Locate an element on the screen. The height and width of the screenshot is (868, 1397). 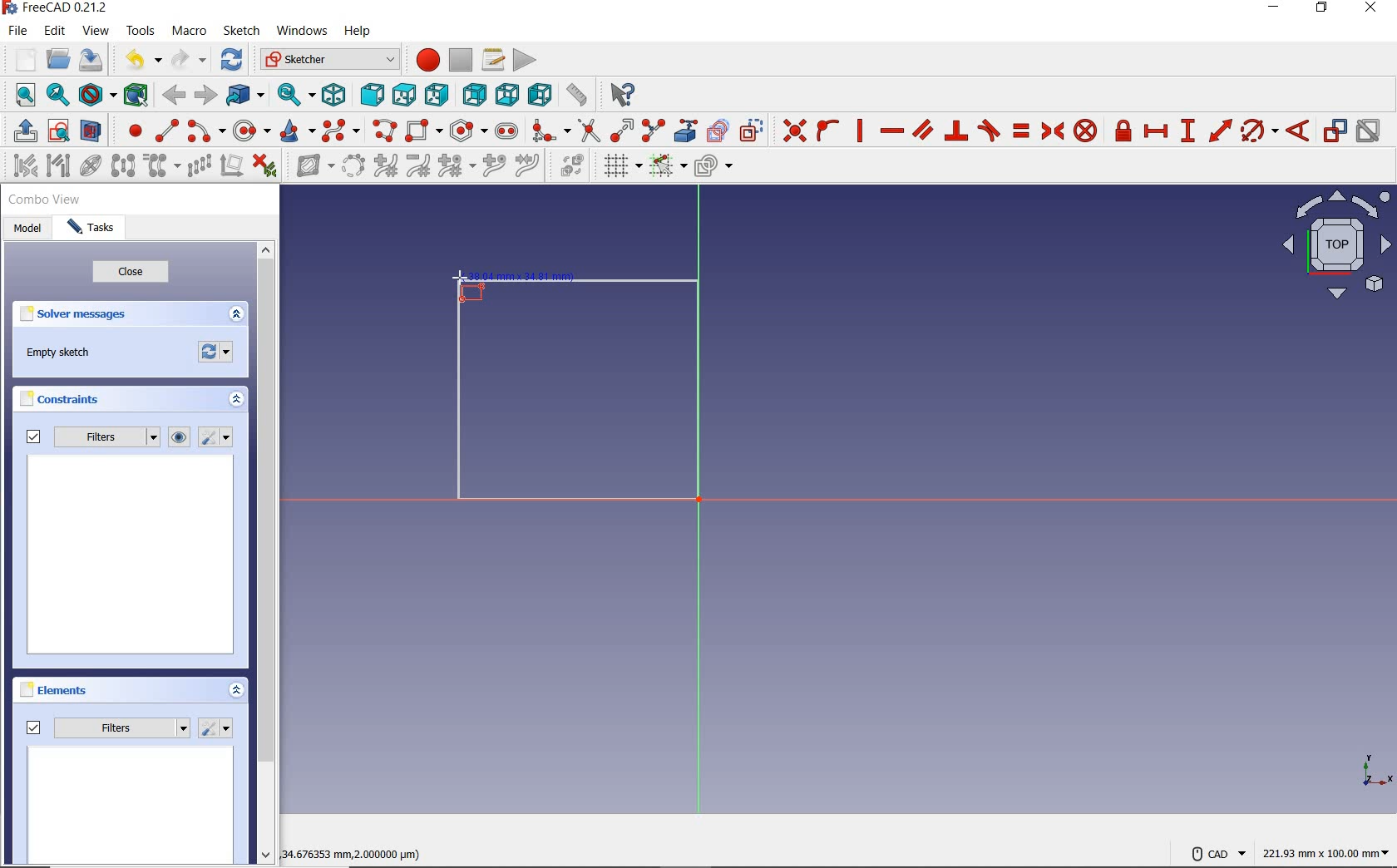
constrain lock is located at coordinates (1123, 131).